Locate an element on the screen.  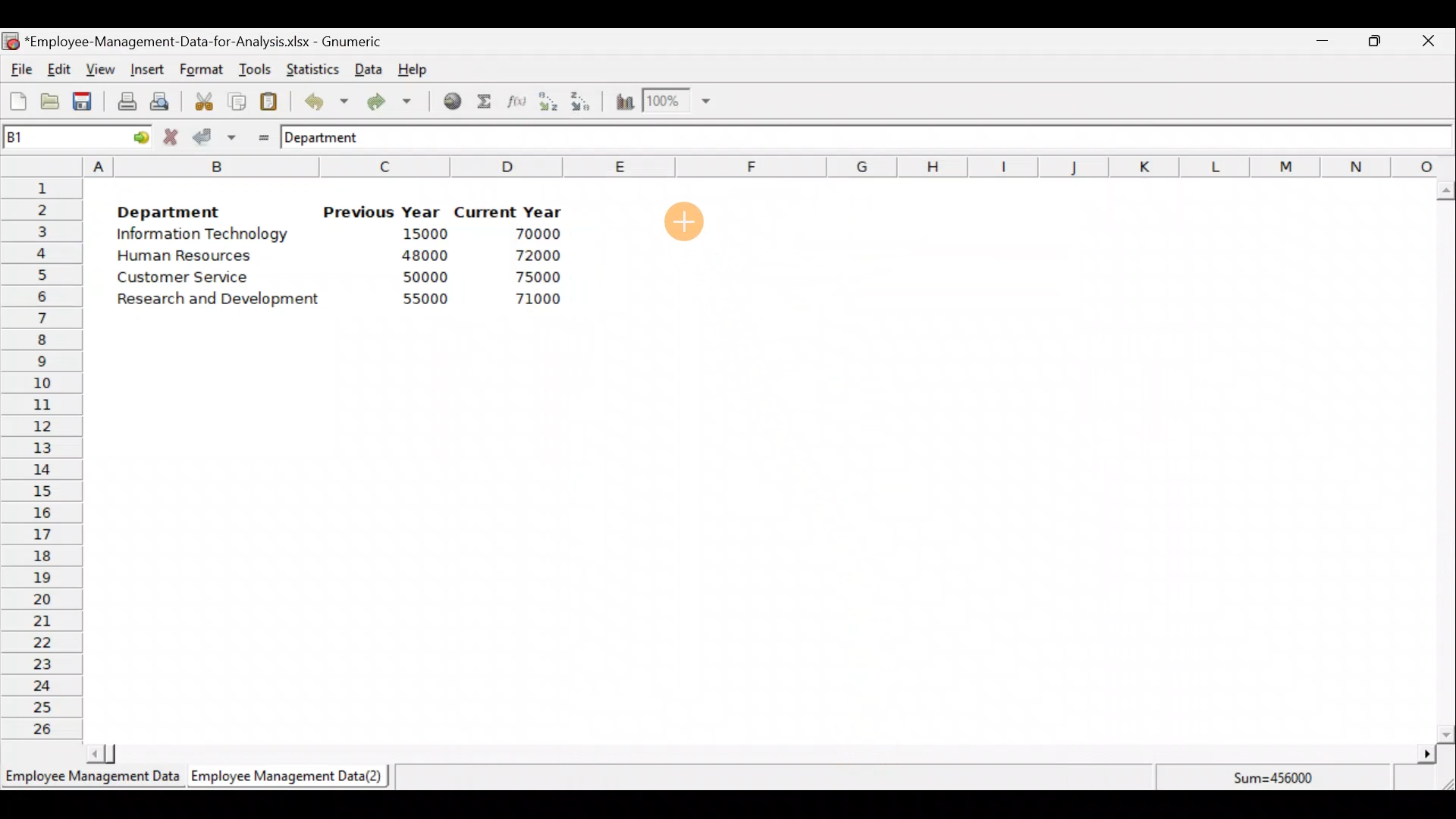
Copy the selection is located at coordinates (236, 99).